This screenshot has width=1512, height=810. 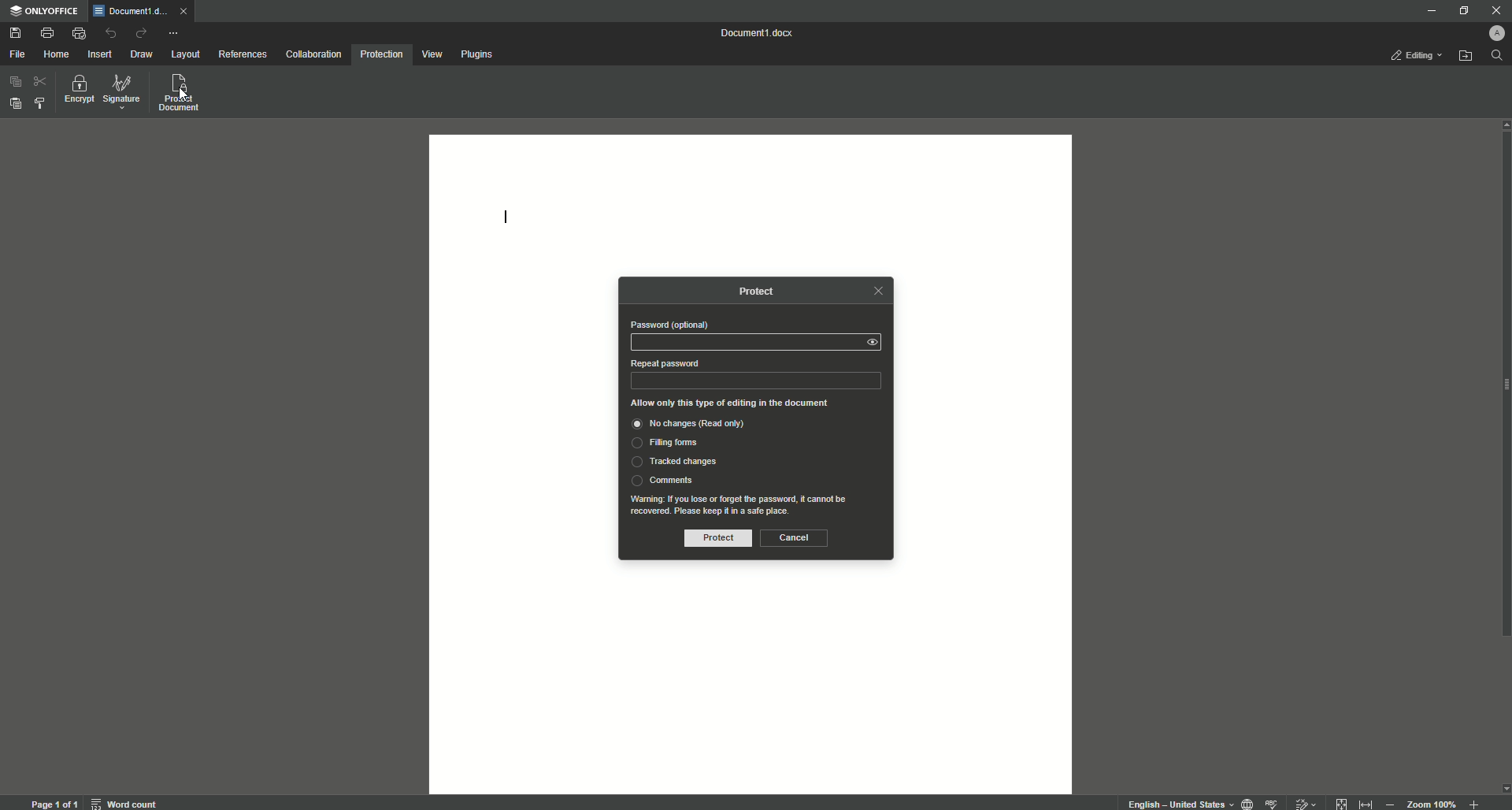 What do you see at coordinates (17, 54) in the screenshot?
I see `File` at bounding box center [17, 54].